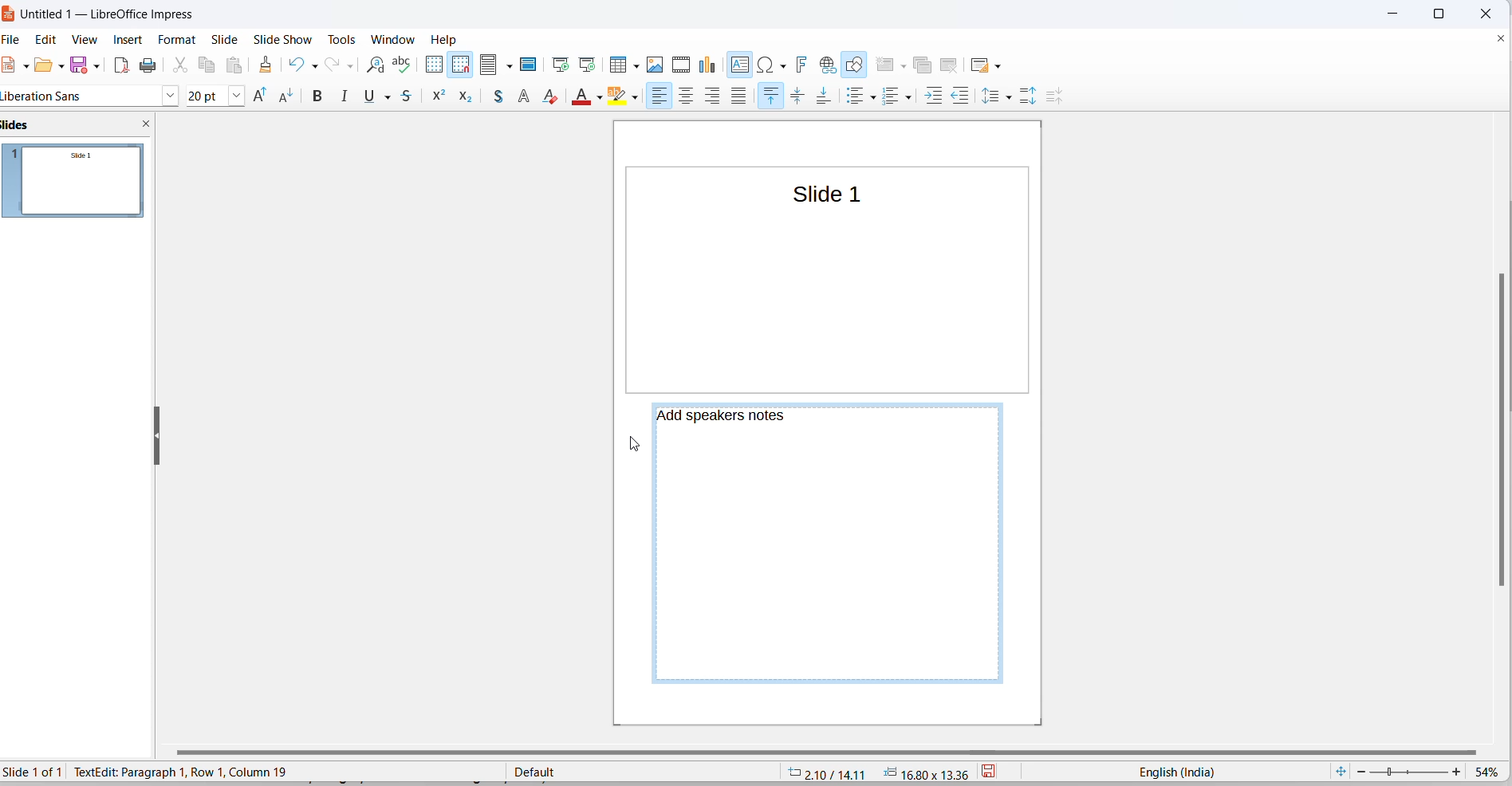 This screenshot has height=786, width=1512. I want to click on redo options, so click(350, 65).